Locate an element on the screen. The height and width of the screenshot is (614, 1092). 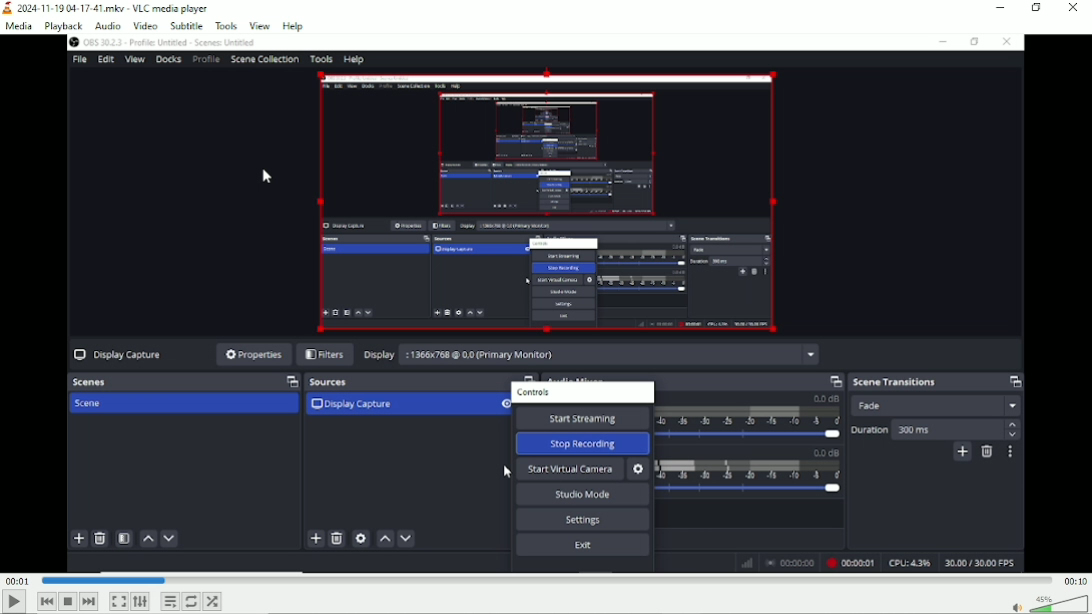
media is located at coordinates (21, 26).